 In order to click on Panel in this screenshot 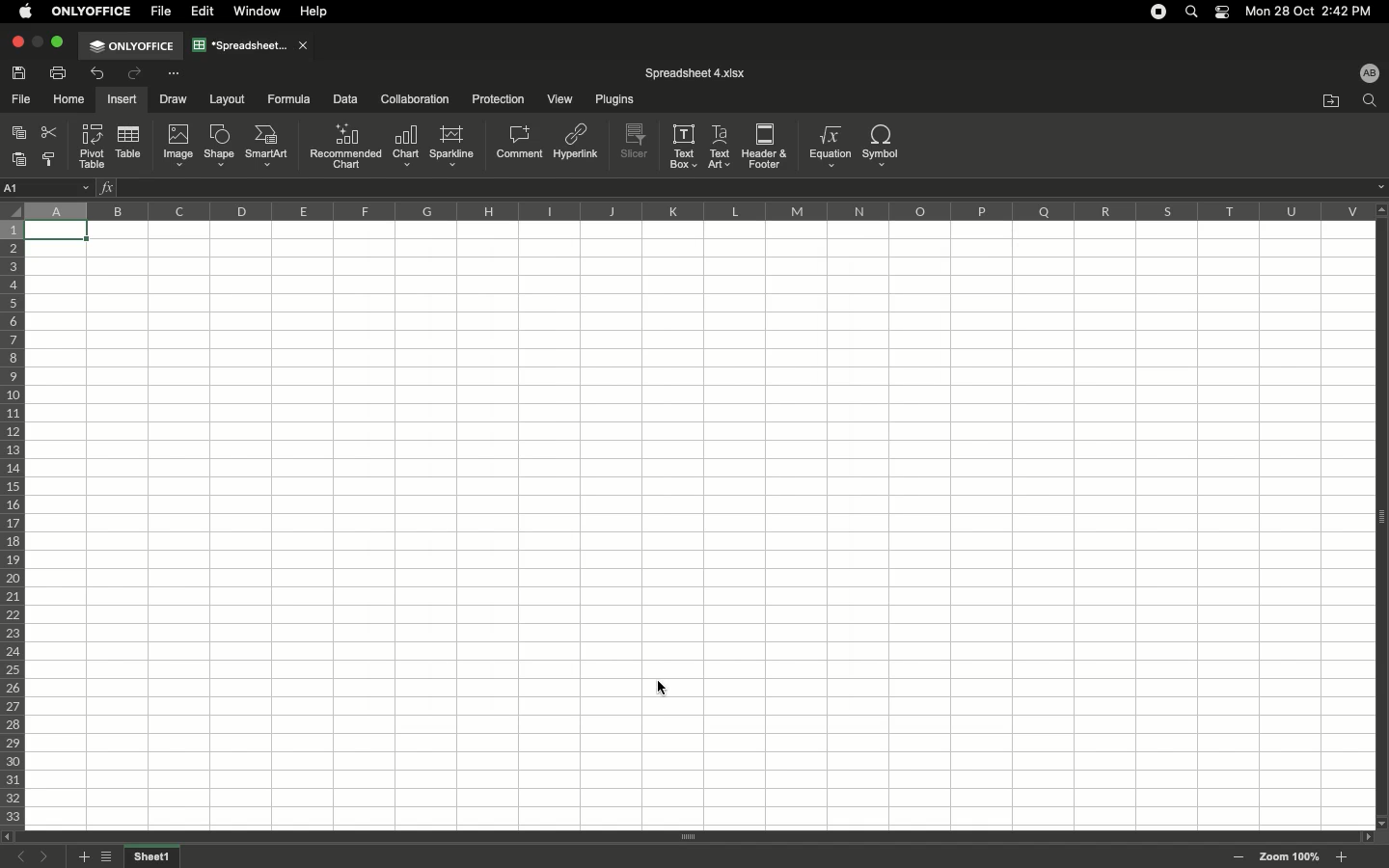, I will do `click(1380, 517)`.